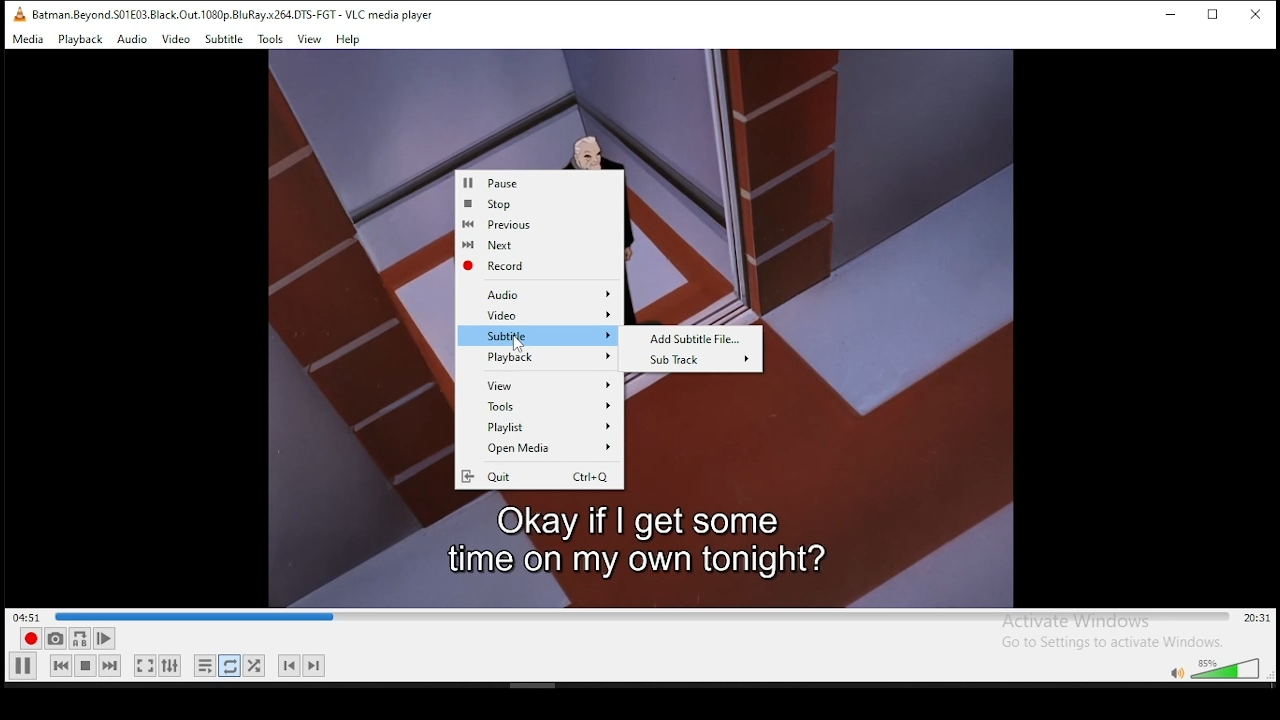 The image size is (1280, 720). I want to click on fast forward, so click(111, 667).